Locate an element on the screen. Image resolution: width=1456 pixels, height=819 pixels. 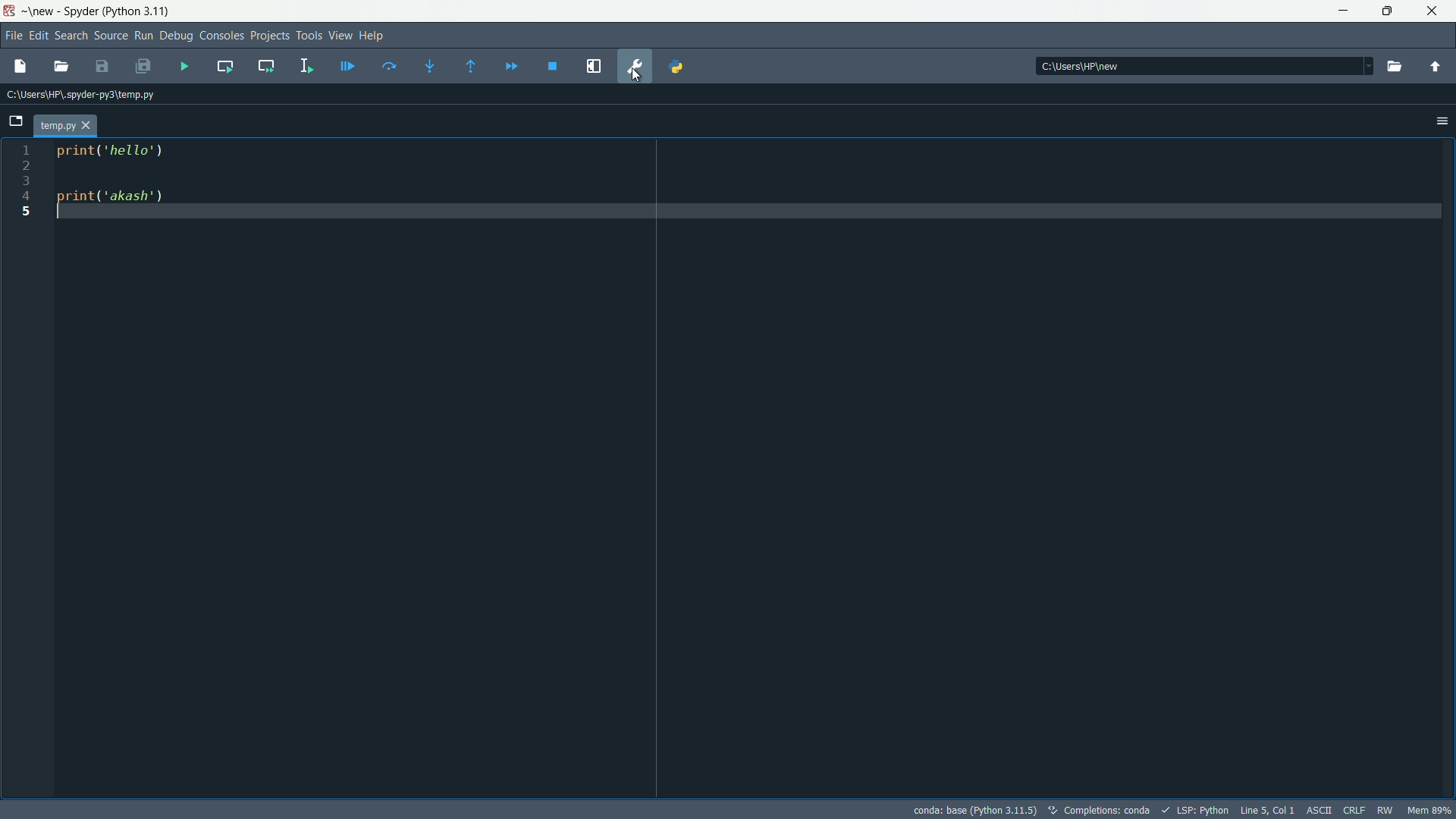
browse tabs is located at coordinates (15, 121).